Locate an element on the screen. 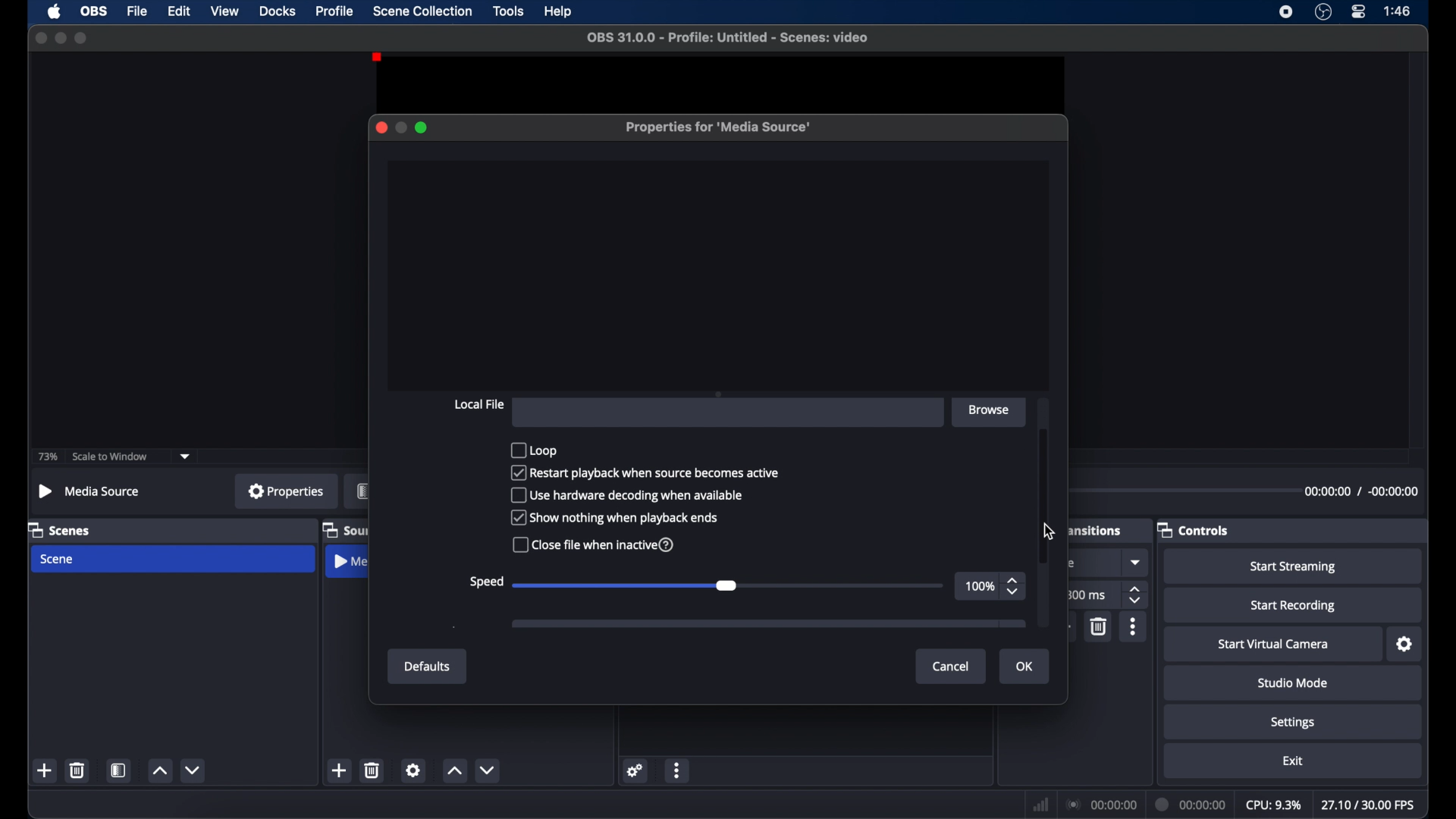 This screenshot has width=1456, height=819. edit is located at coordinates (178, 12).